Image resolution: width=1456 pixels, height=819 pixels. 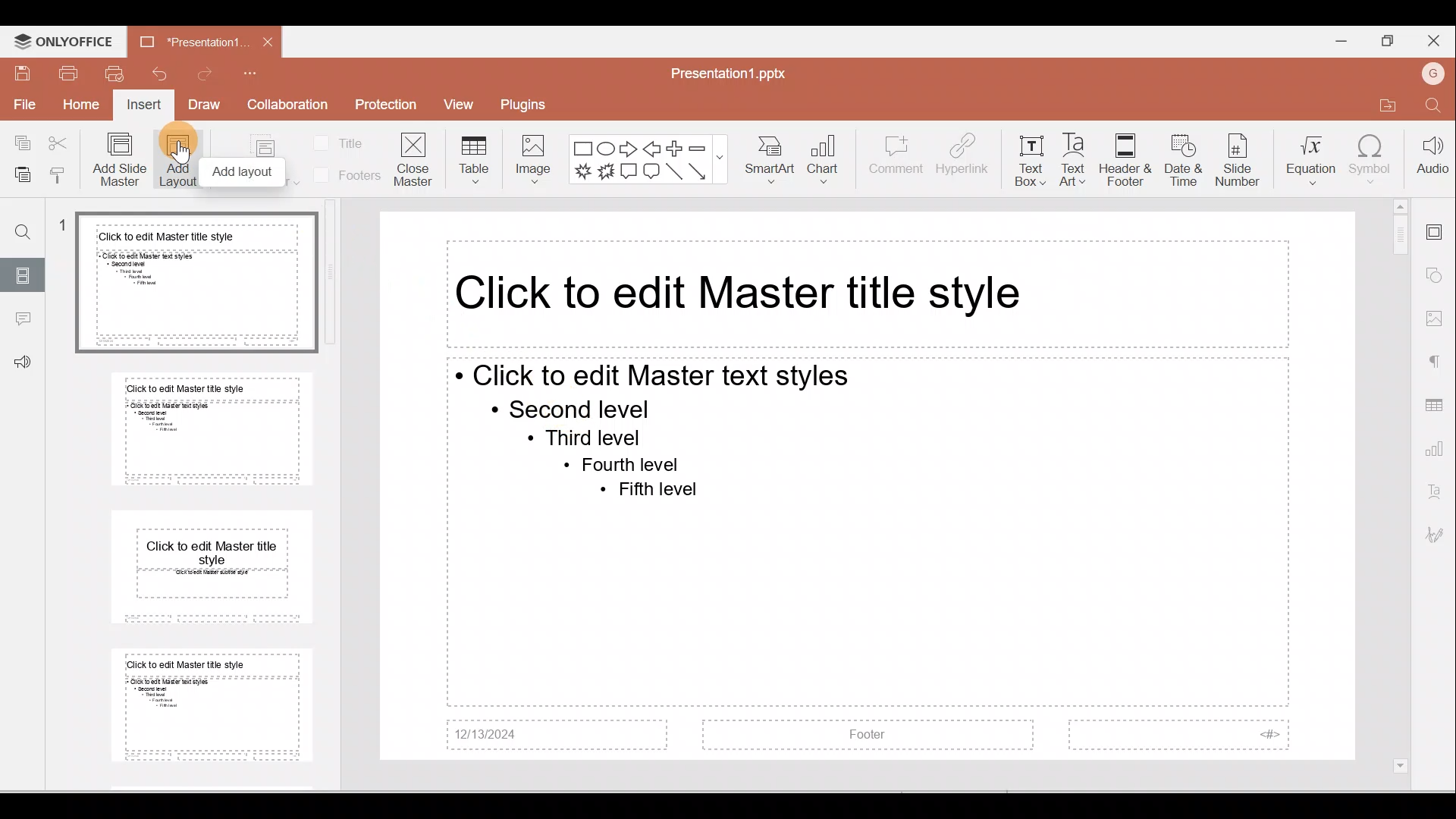 What do you see at coordinates (1436, 74) in the screenshot?
I see `Account name` at bounding box center [1436, 74].